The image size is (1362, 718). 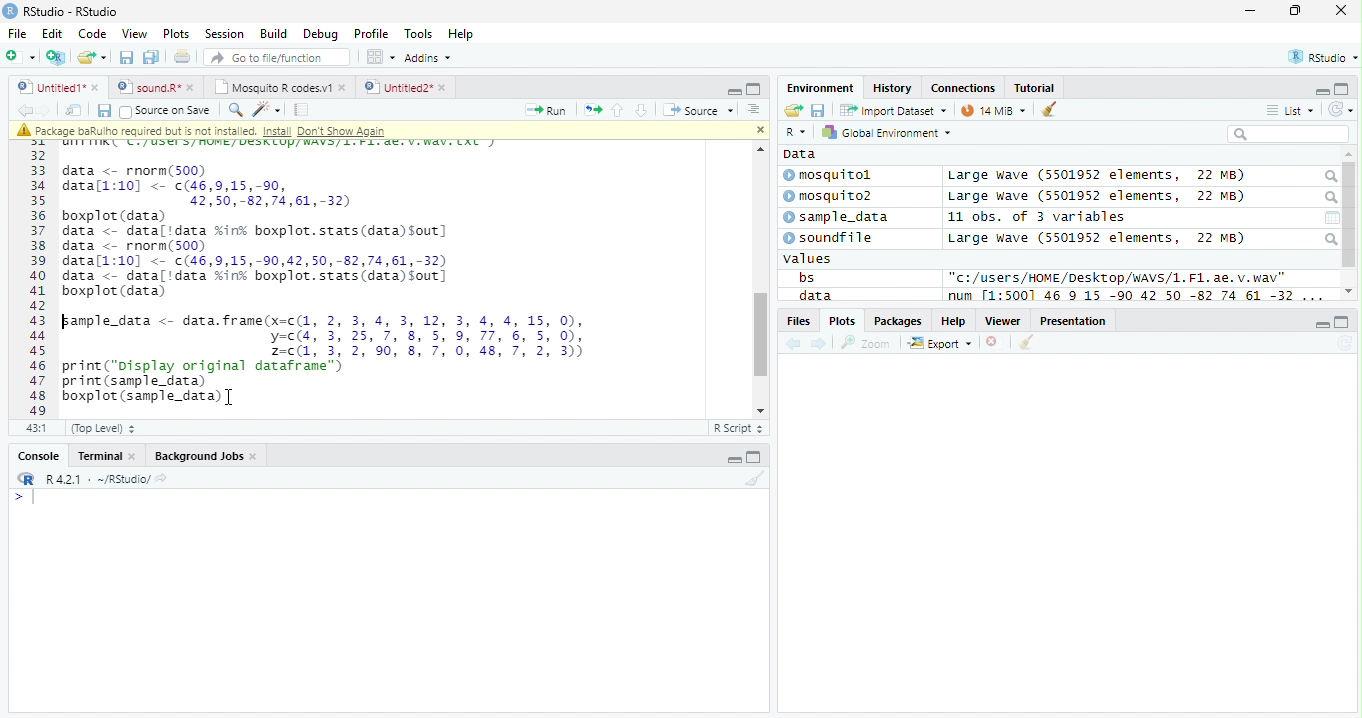 I want to click on mosquito2, so click(x=832, y=196).